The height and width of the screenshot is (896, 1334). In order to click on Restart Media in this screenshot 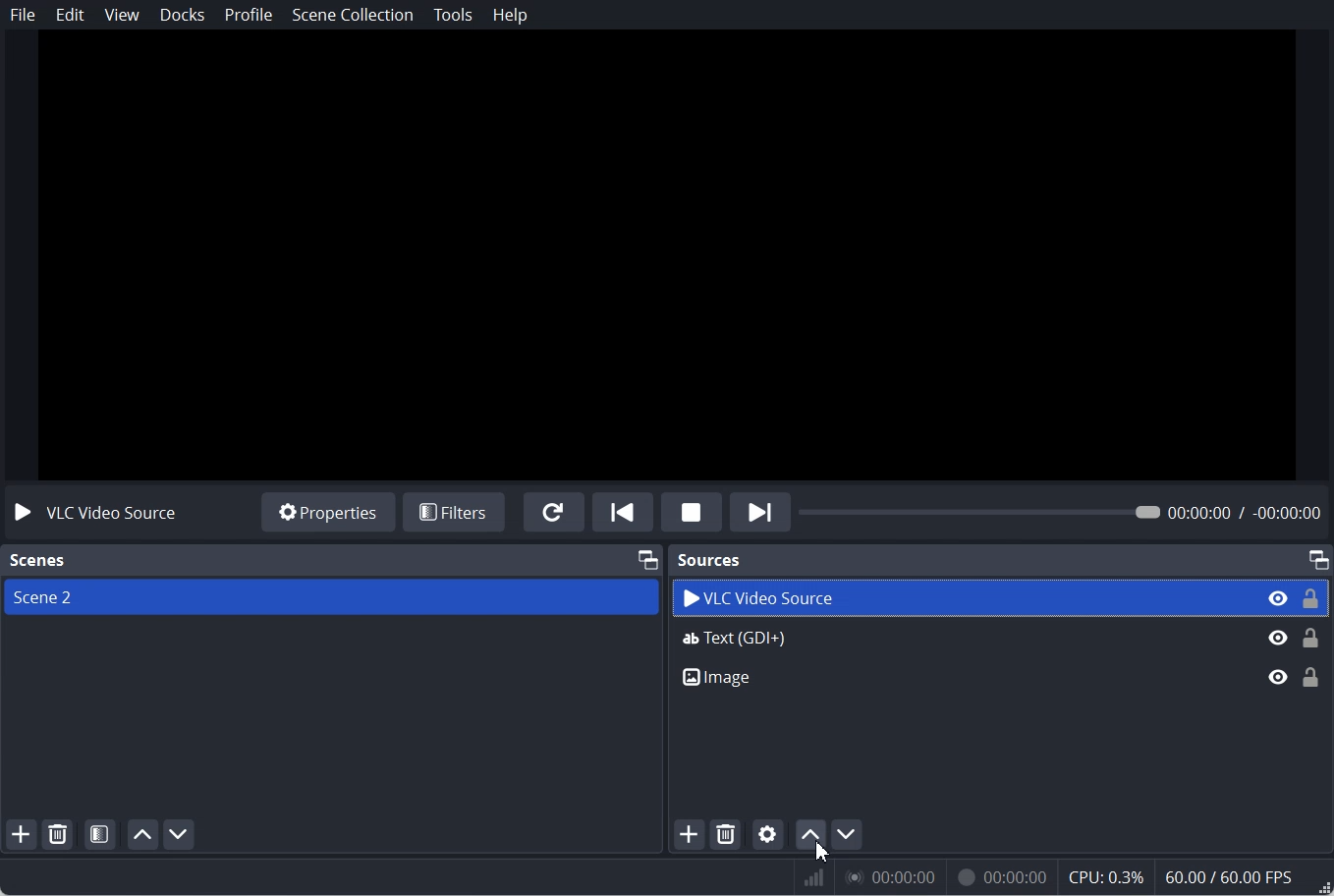, I will do `click(554, 512)`.